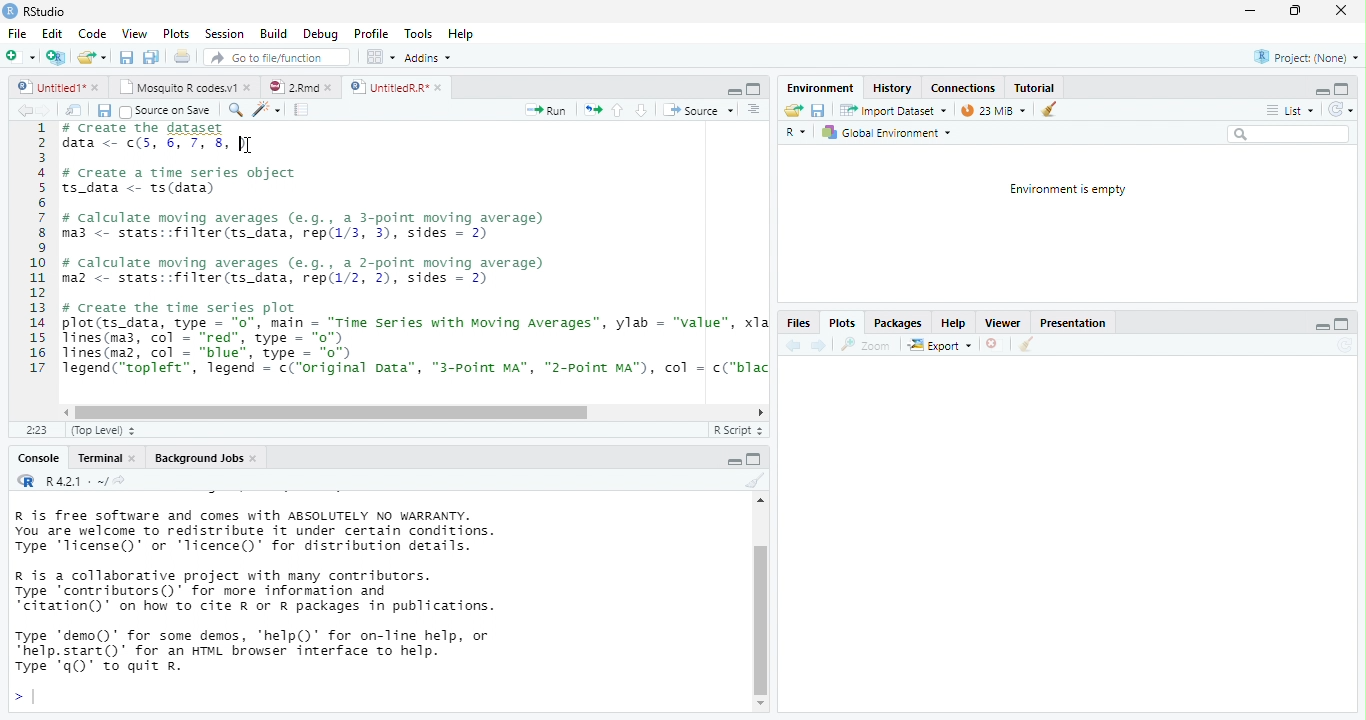 This screenshot has height=720, width=1366. Describe the element at coordinates (92, 58) in the screenshot. I see `open an existing file` at that location.